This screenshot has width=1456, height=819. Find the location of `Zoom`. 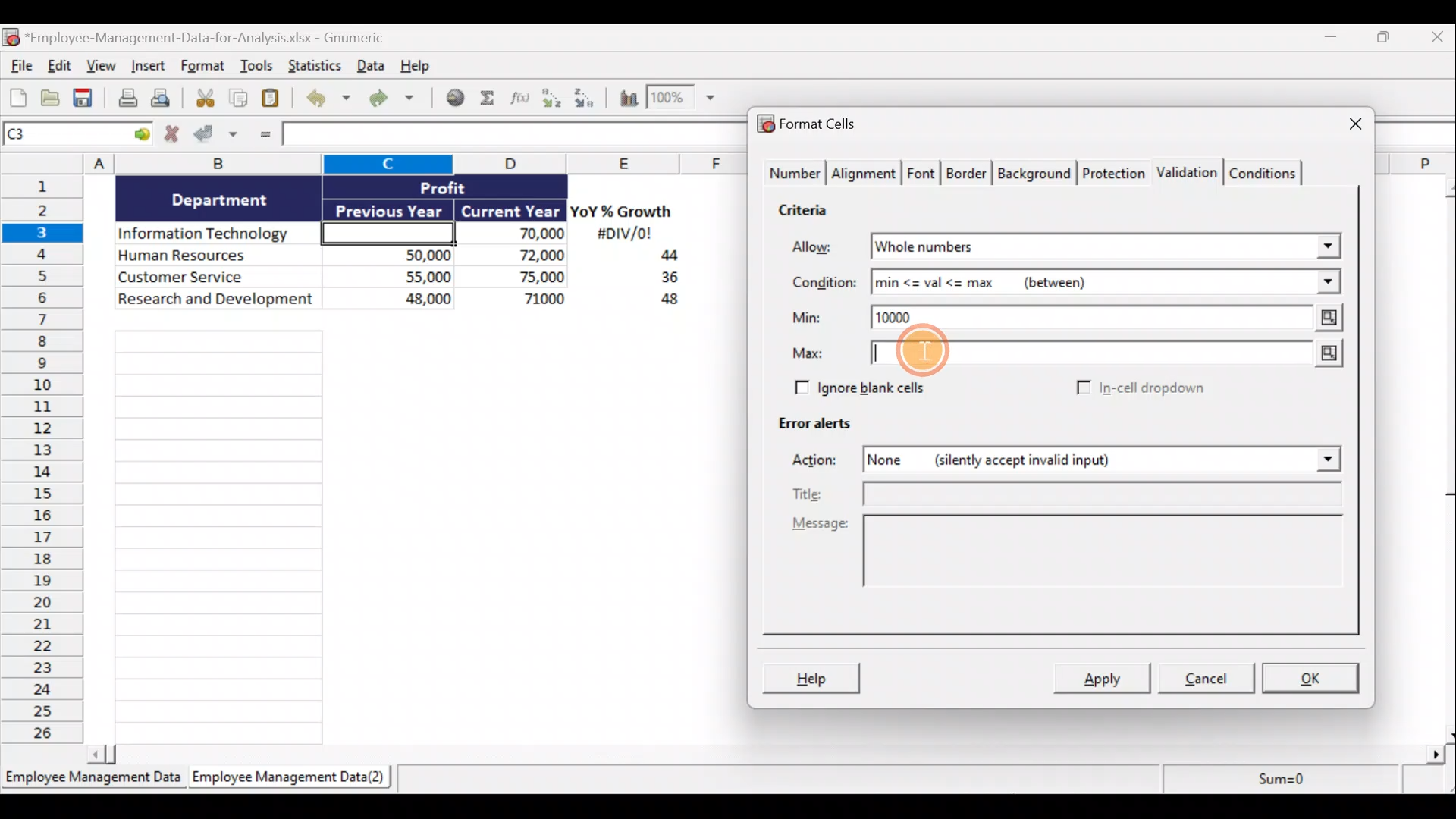

Zoom is located at coordinates (685, 101).